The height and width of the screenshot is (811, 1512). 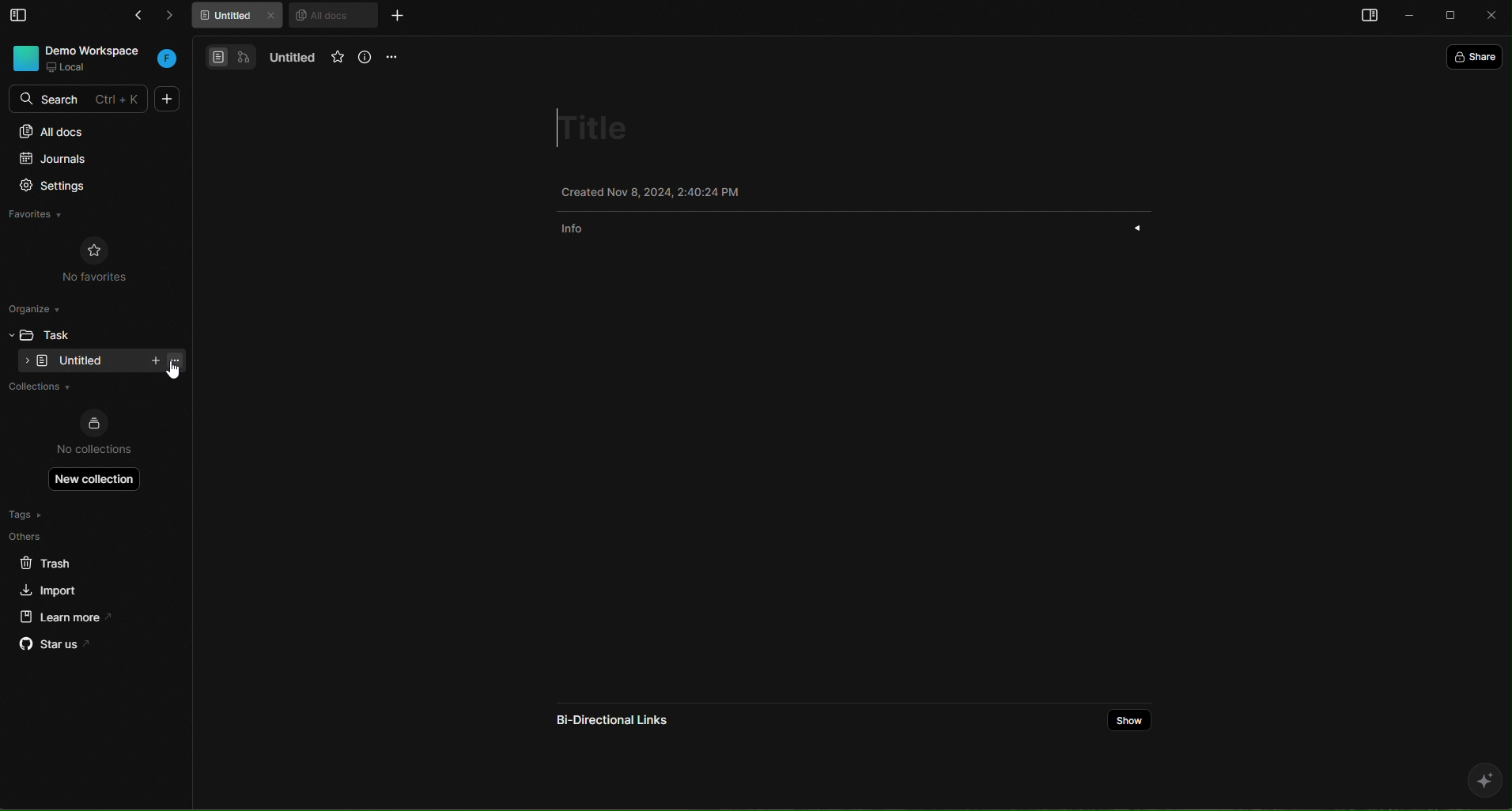 I want to click on all docs, so click(x=332, y=14).